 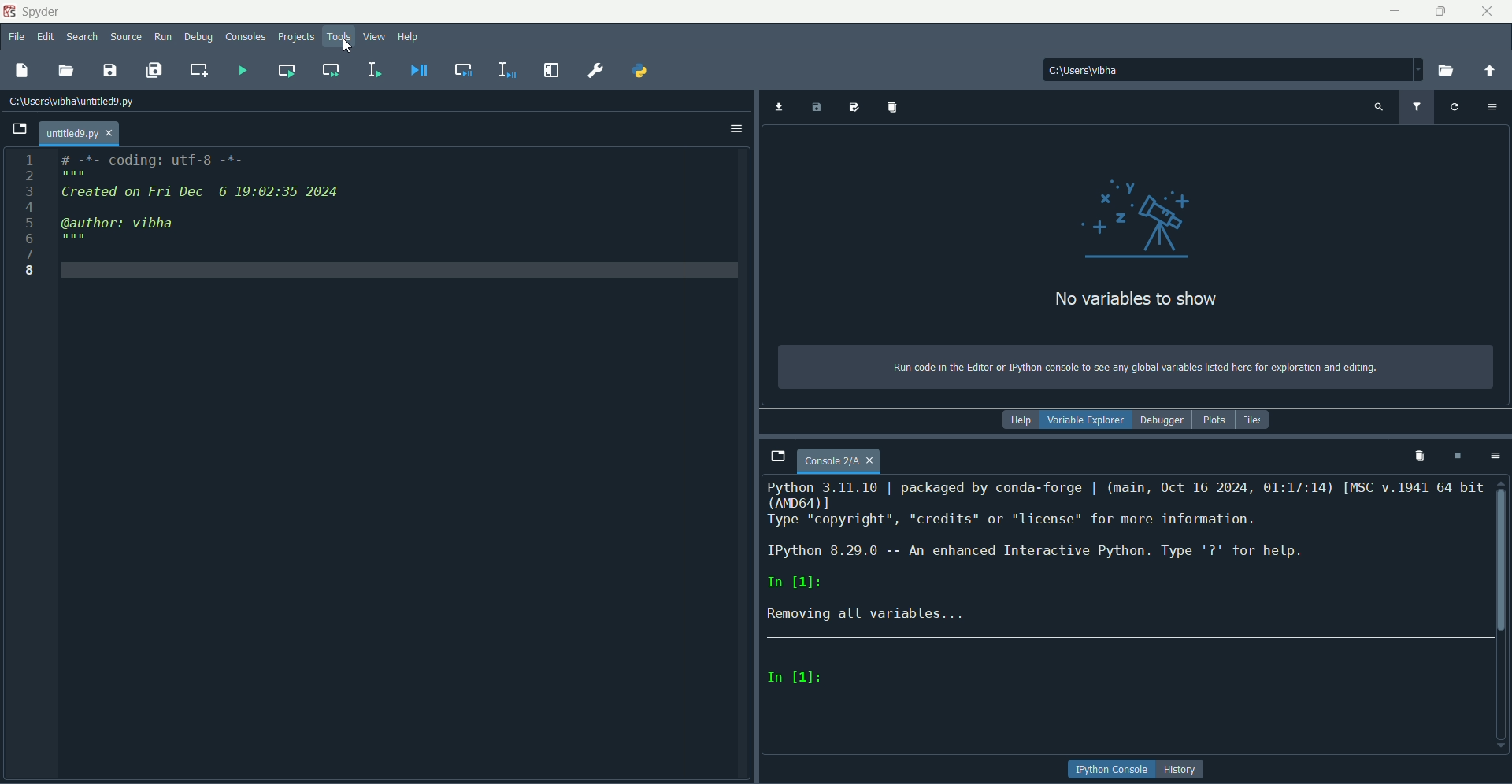 What do you see at coordinates (1488, 11) in the screenshot?
I see `close` at bounding box center [1488, 11].